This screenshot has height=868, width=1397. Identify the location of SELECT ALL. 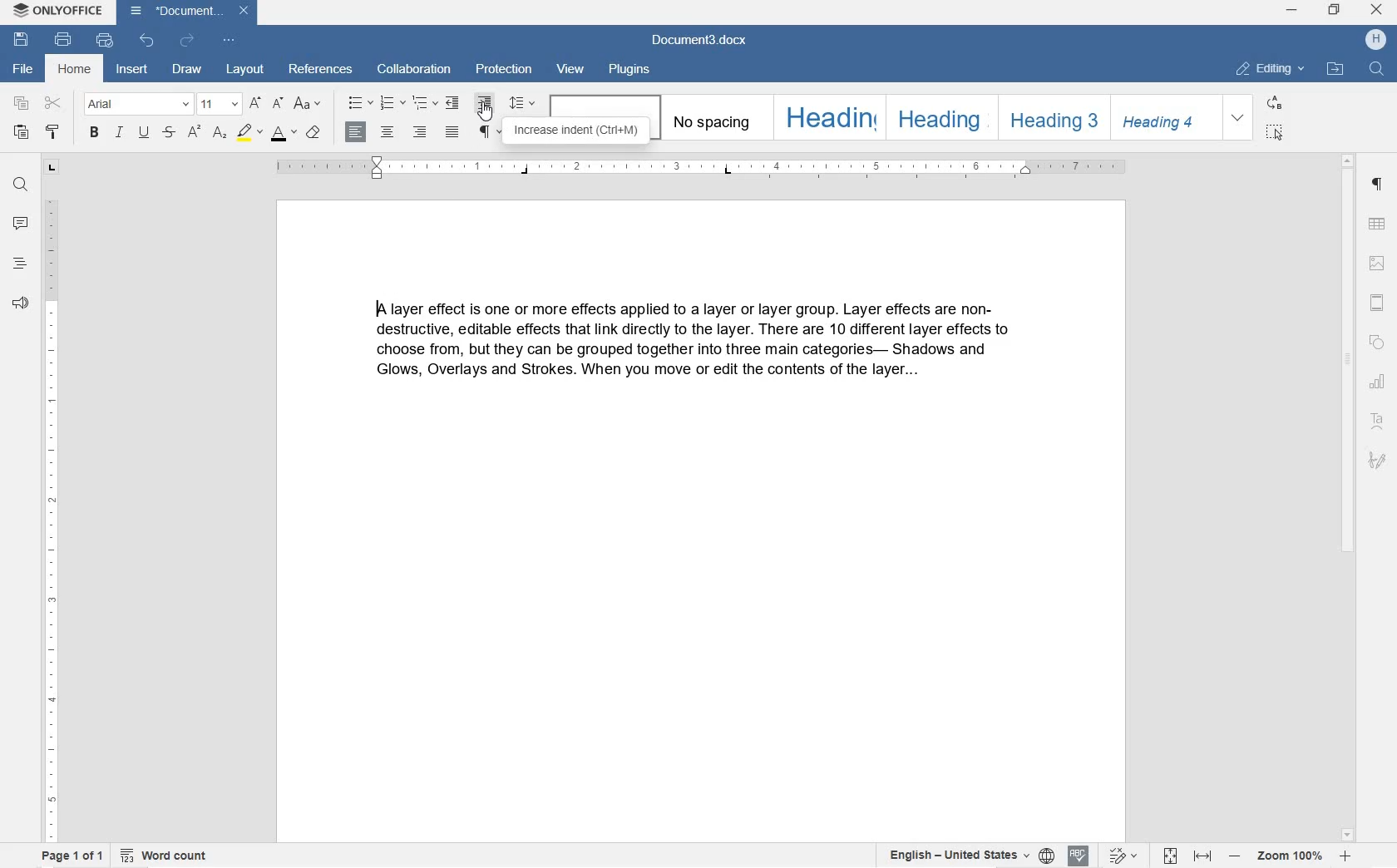
(1274, 131).